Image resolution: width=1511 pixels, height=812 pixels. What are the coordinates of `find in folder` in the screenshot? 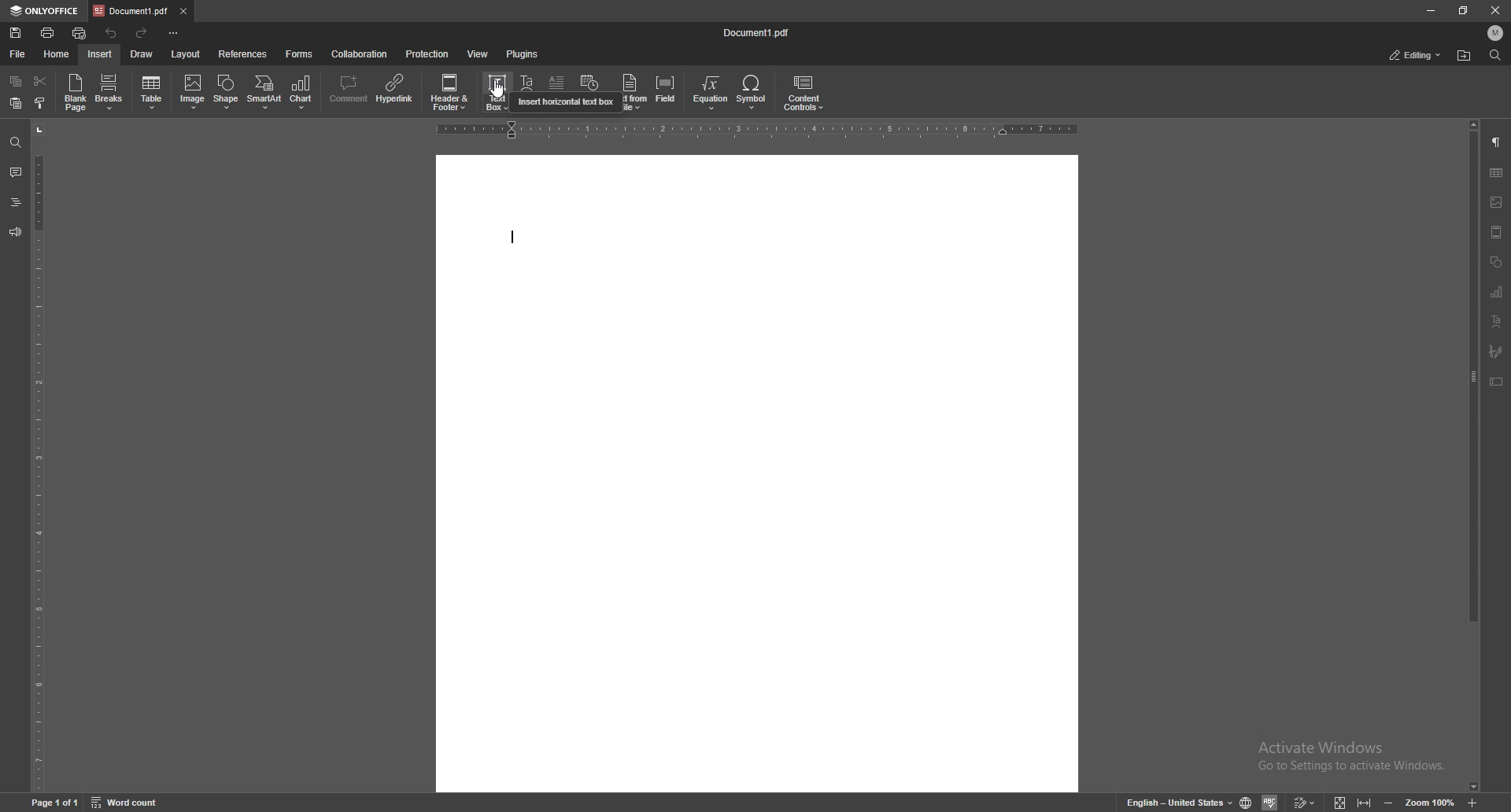 It's located at (1464, 56).